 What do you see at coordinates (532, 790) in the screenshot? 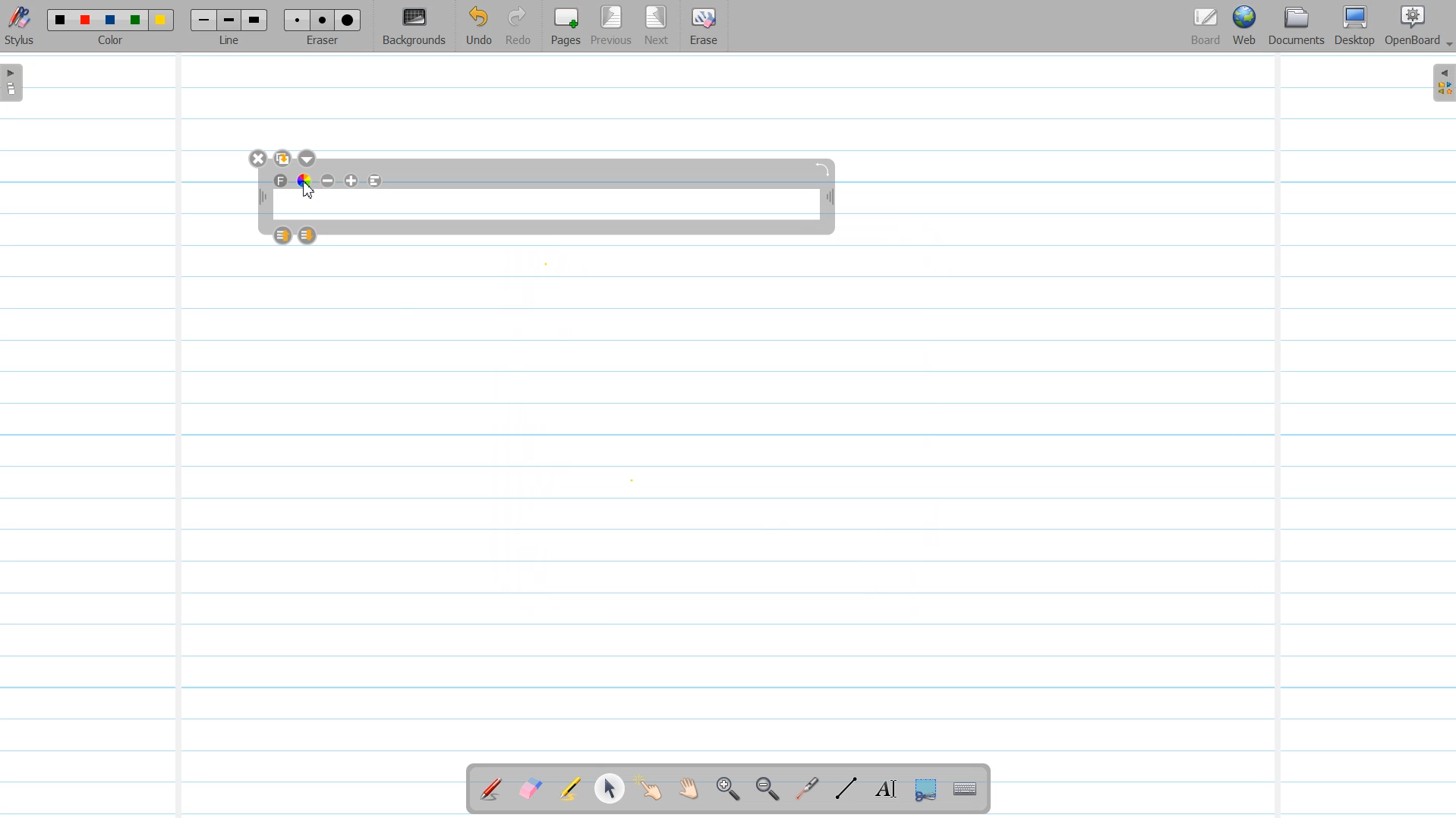
I see `Erase Annotation` at bounding box center [532, 790].